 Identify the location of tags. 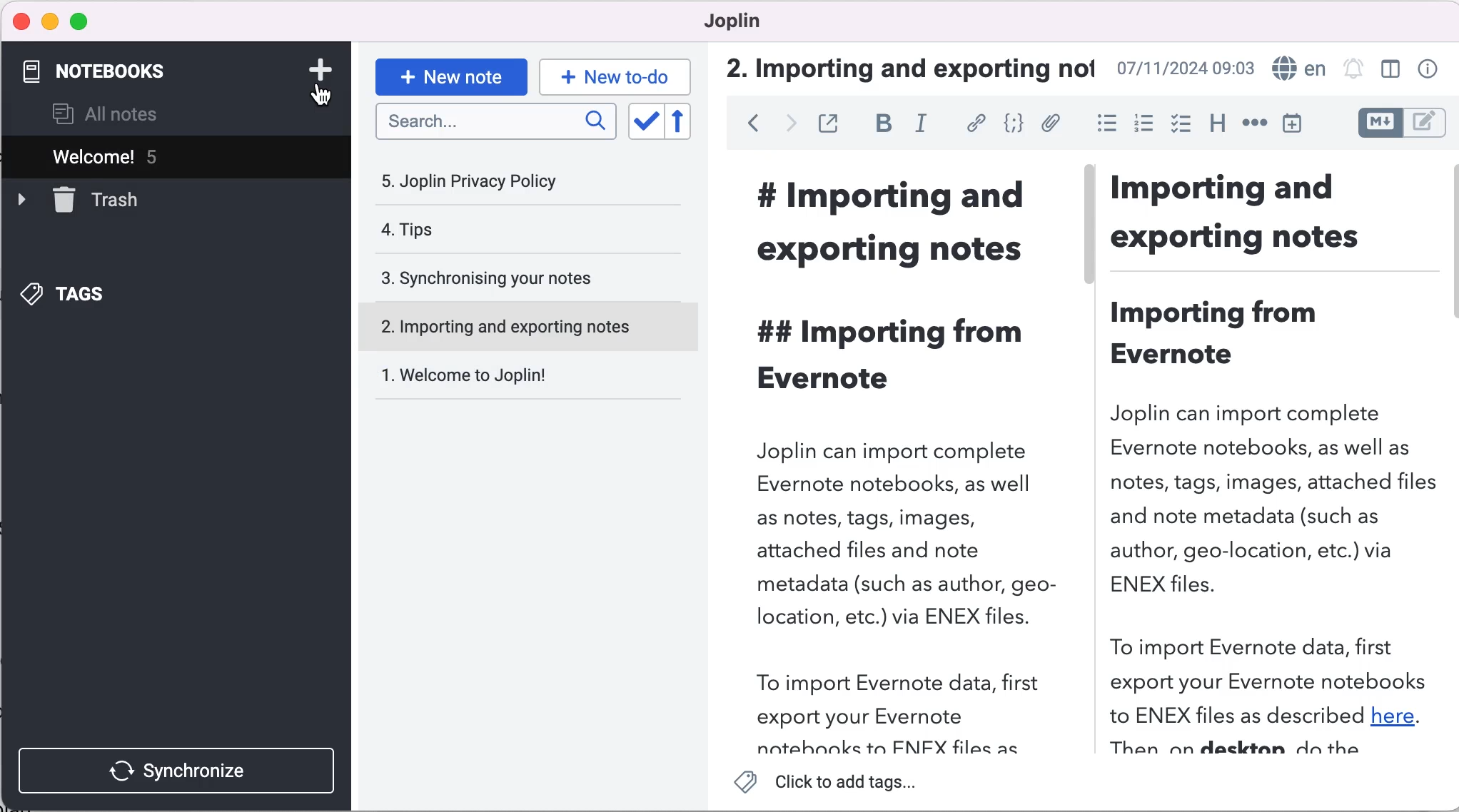
(76, 296).